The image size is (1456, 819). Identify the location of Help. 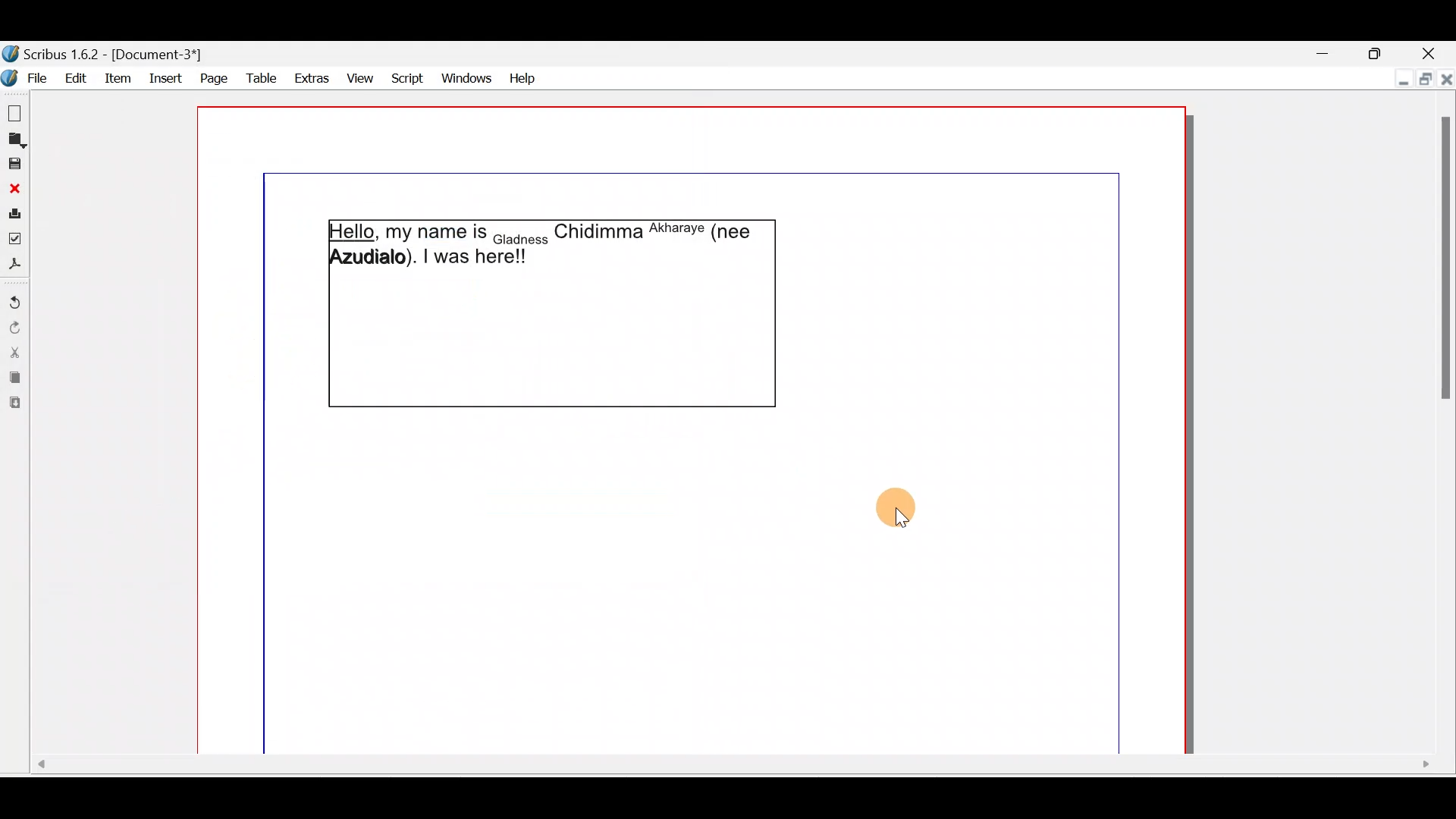
(528, 80).